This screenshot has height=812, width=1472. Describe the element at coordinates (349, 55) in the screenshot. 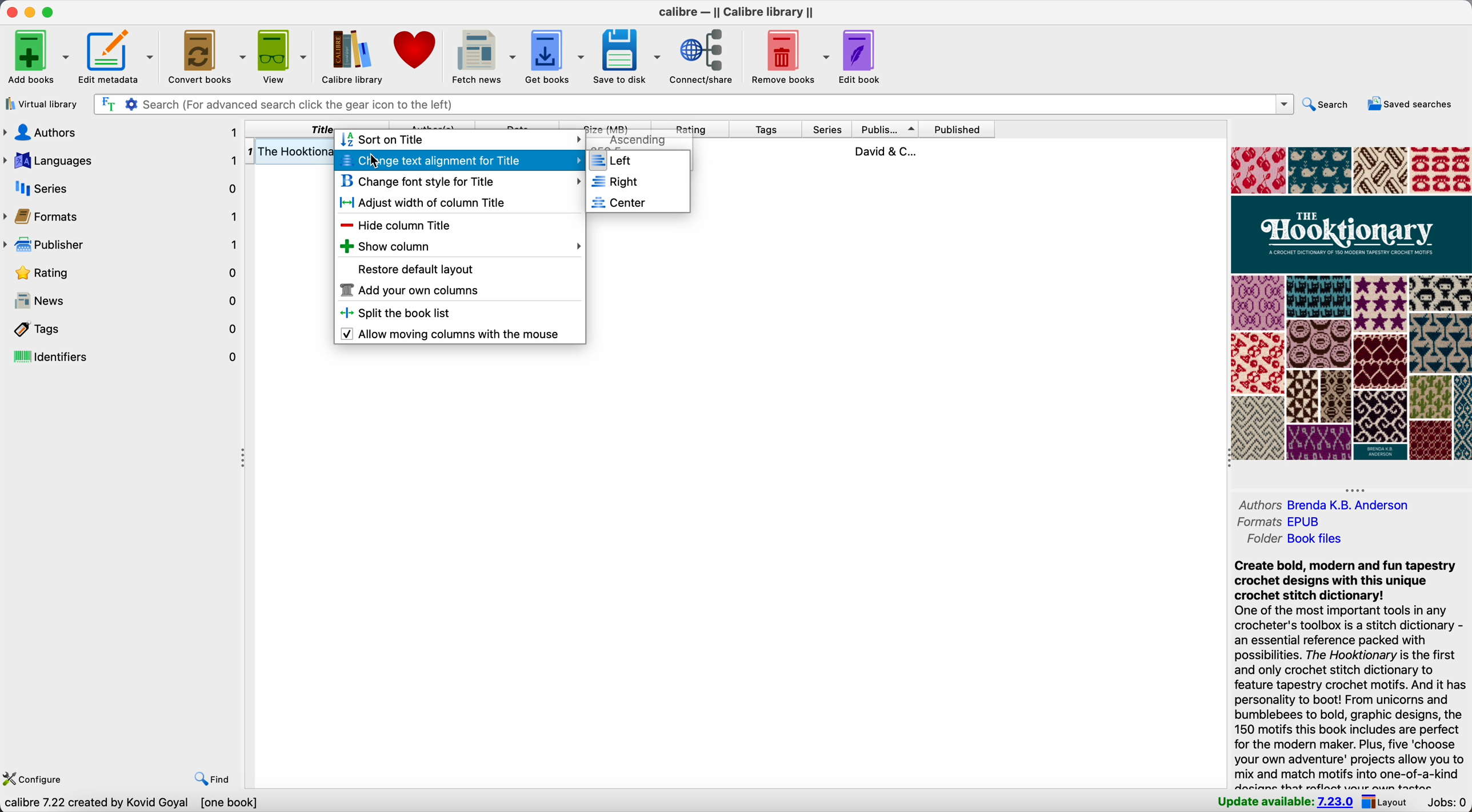

I see `Calibre library` at that location.